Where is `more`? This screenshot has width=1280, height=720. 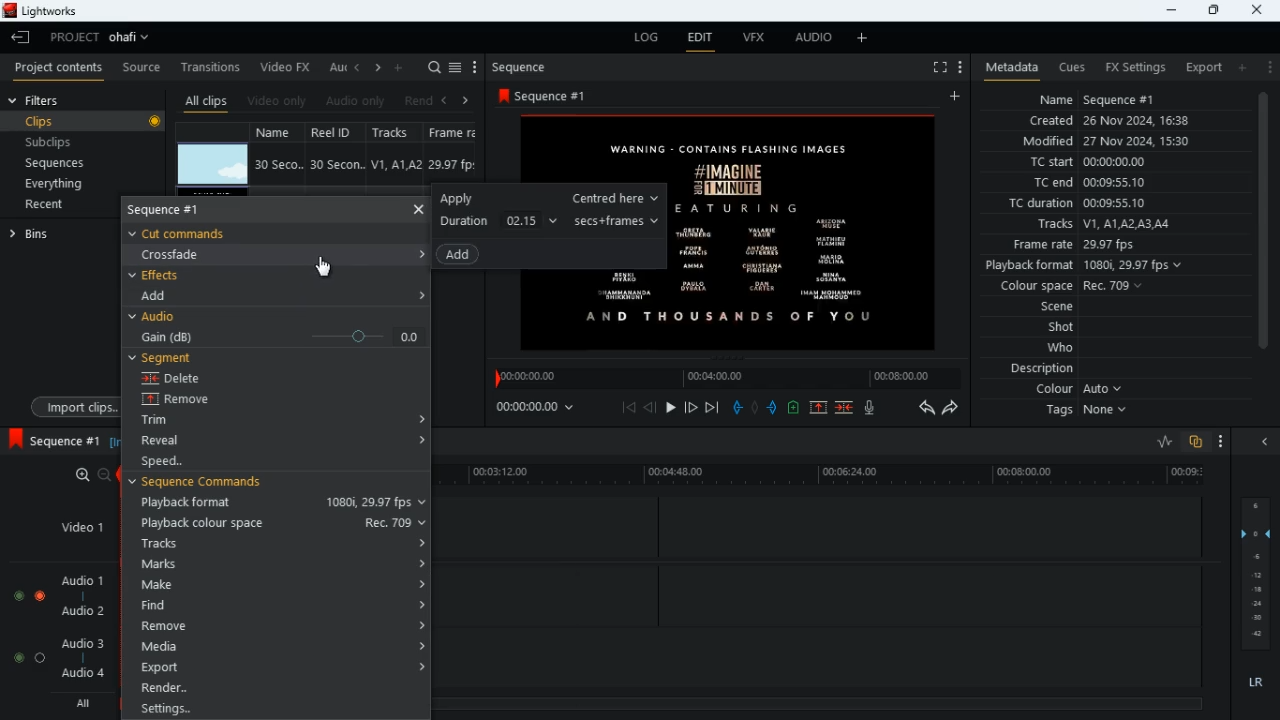 more is located at coordinates (1222, 443).